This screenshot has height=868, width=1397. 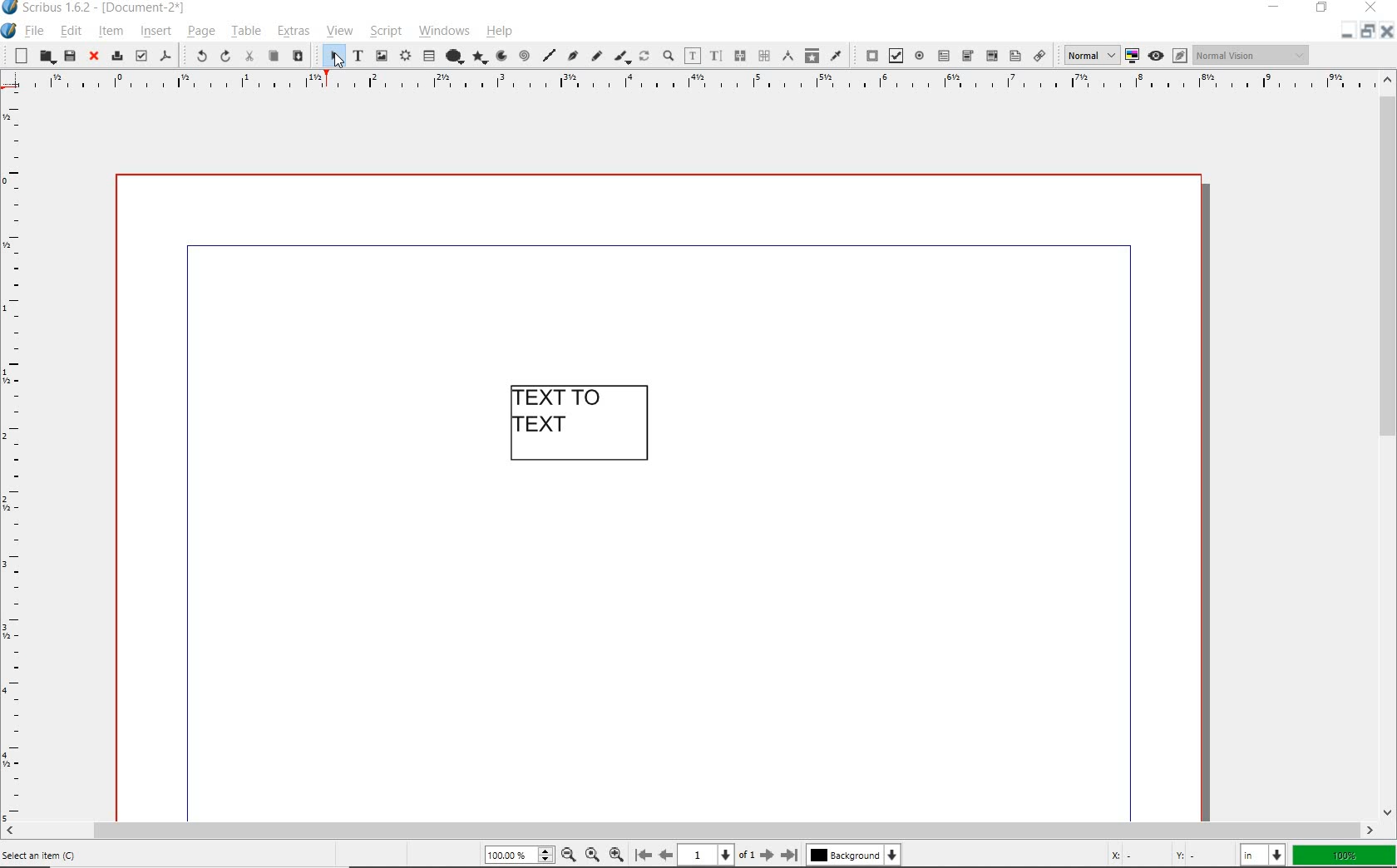 I want to click on preflight verifier, so click(x=141, y=57).